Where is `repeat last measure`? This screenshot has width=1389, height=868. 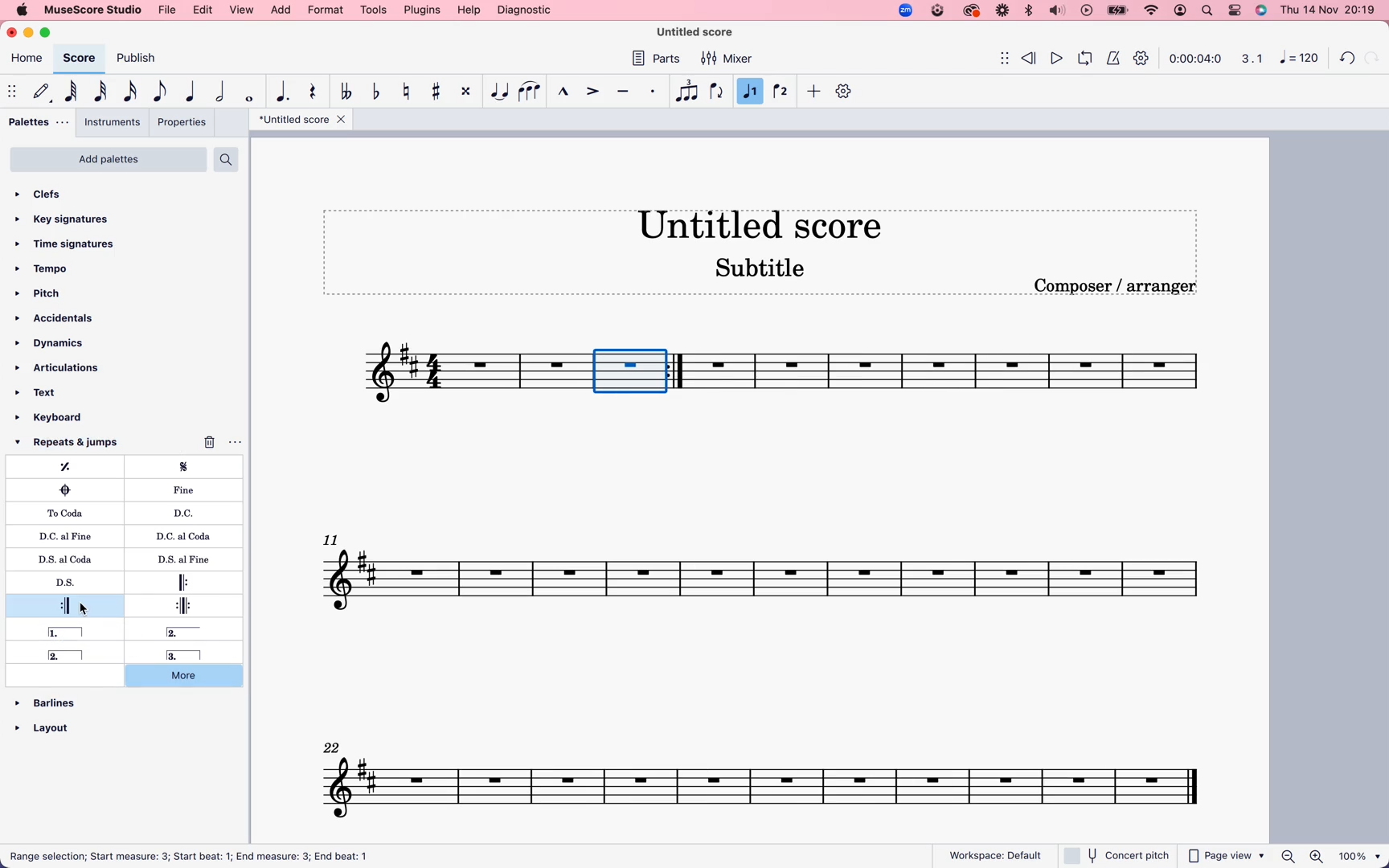 repeat last measure is located at coordinates (72, 467).